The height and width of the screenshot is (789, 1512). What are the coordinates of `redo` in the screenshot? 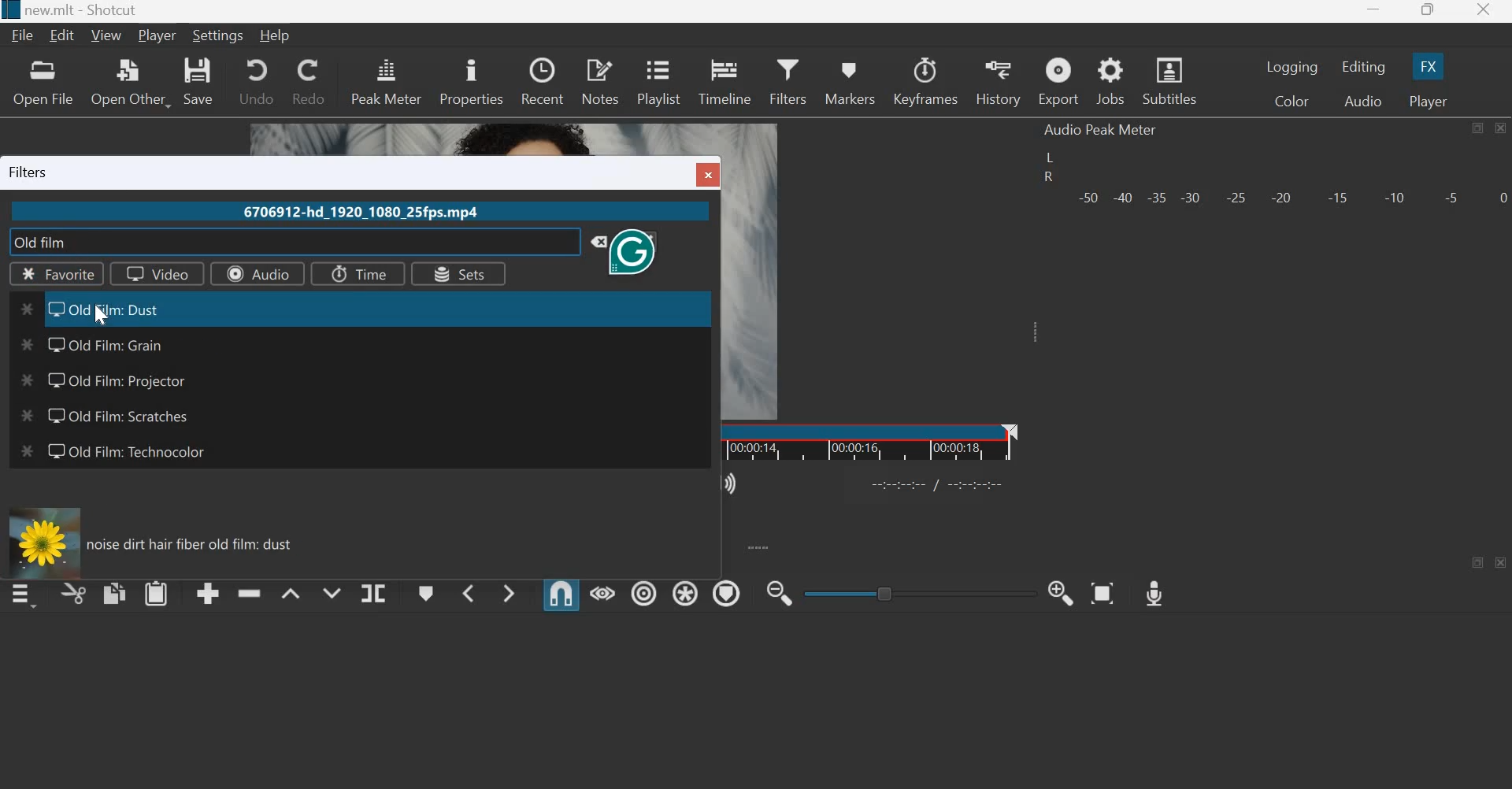 It's located at (307, 80).